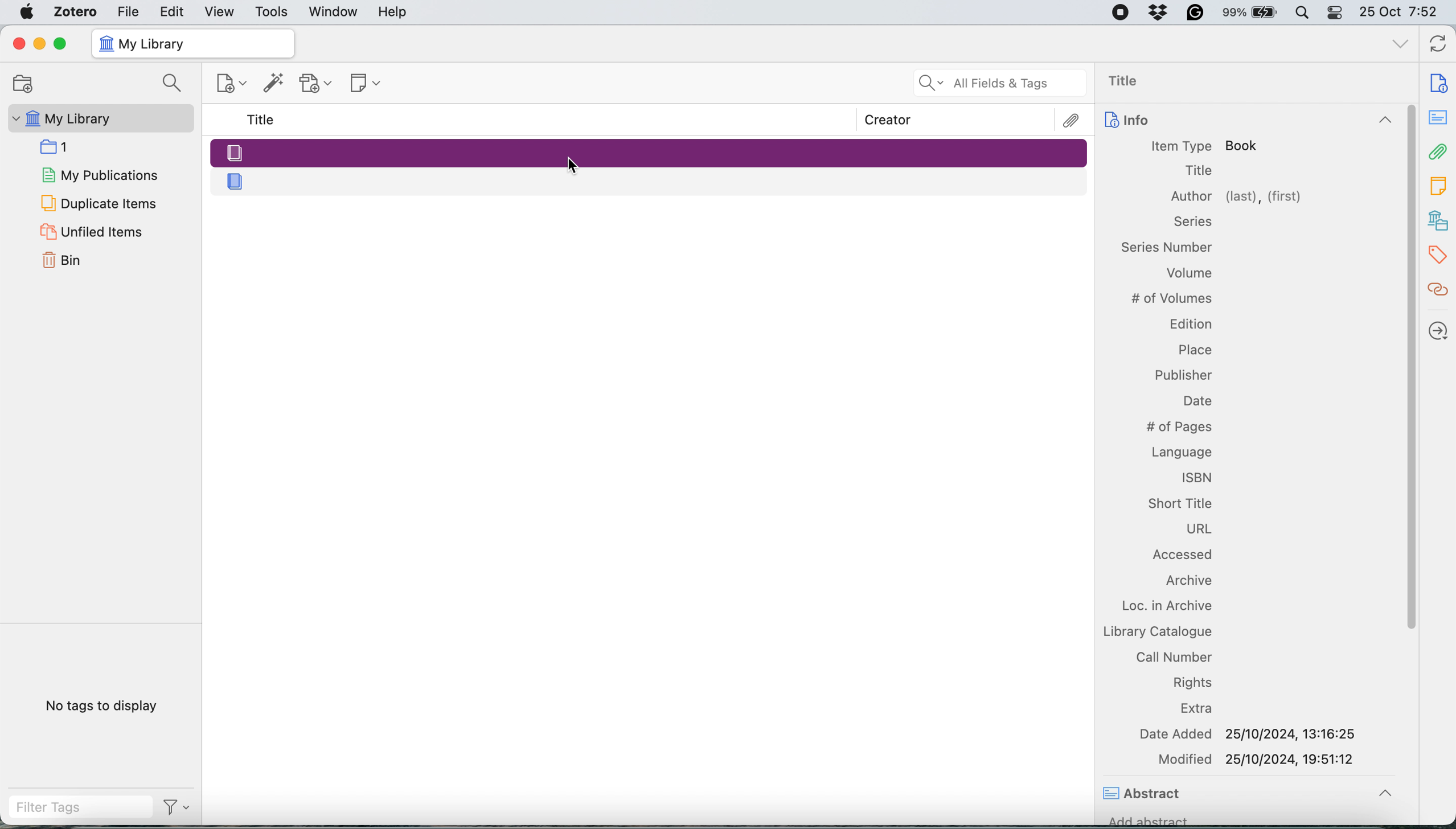 This screenshot has height=829, width=1456. What do you see at coordinates (21, 83) in the screenshot?
I see `Open Folder` at bounding box center [21, 83].